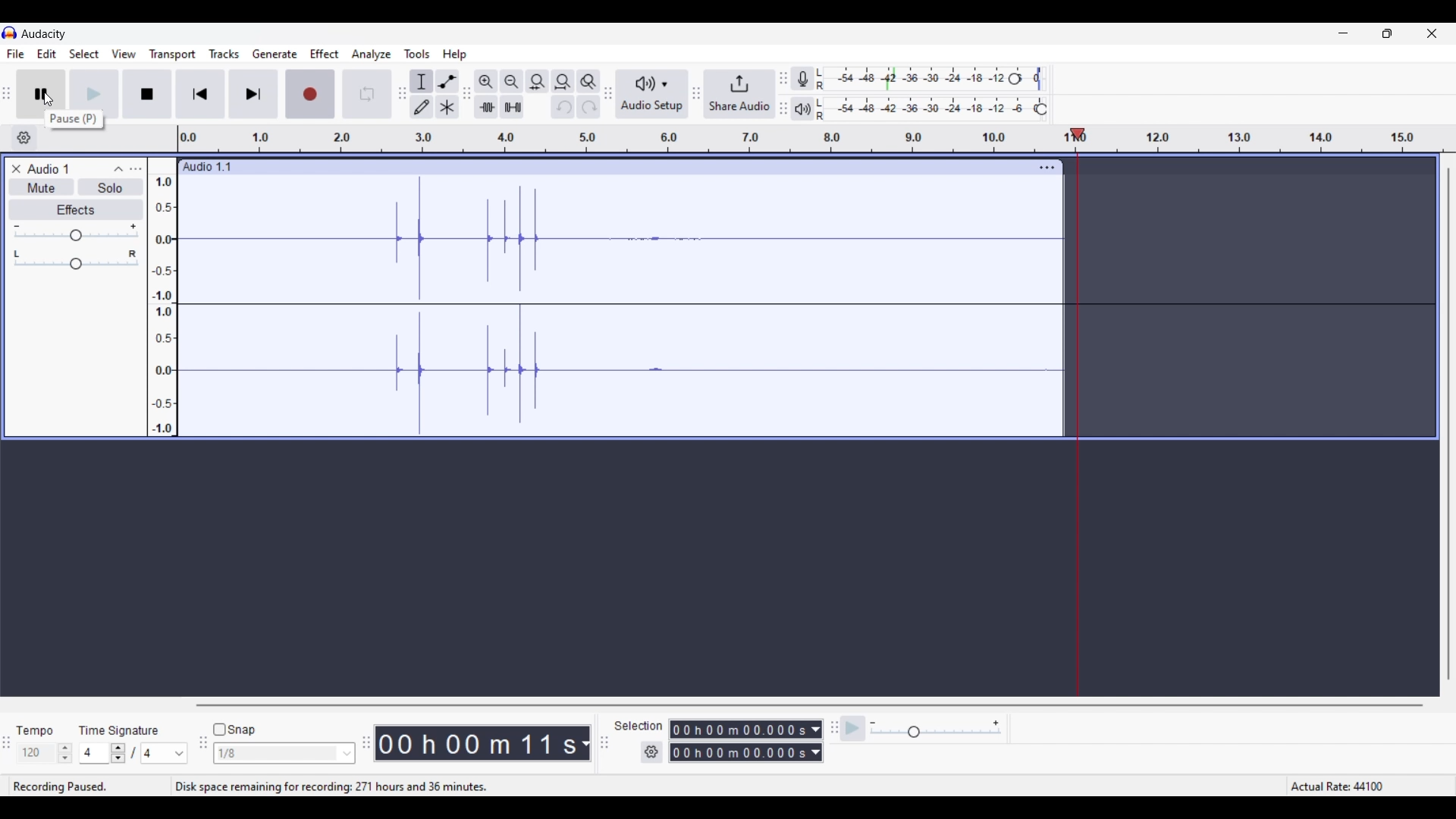  Describe the element at coordinates (1452, 424) in the screenshot. I see `Vertical slide bar` at that location.